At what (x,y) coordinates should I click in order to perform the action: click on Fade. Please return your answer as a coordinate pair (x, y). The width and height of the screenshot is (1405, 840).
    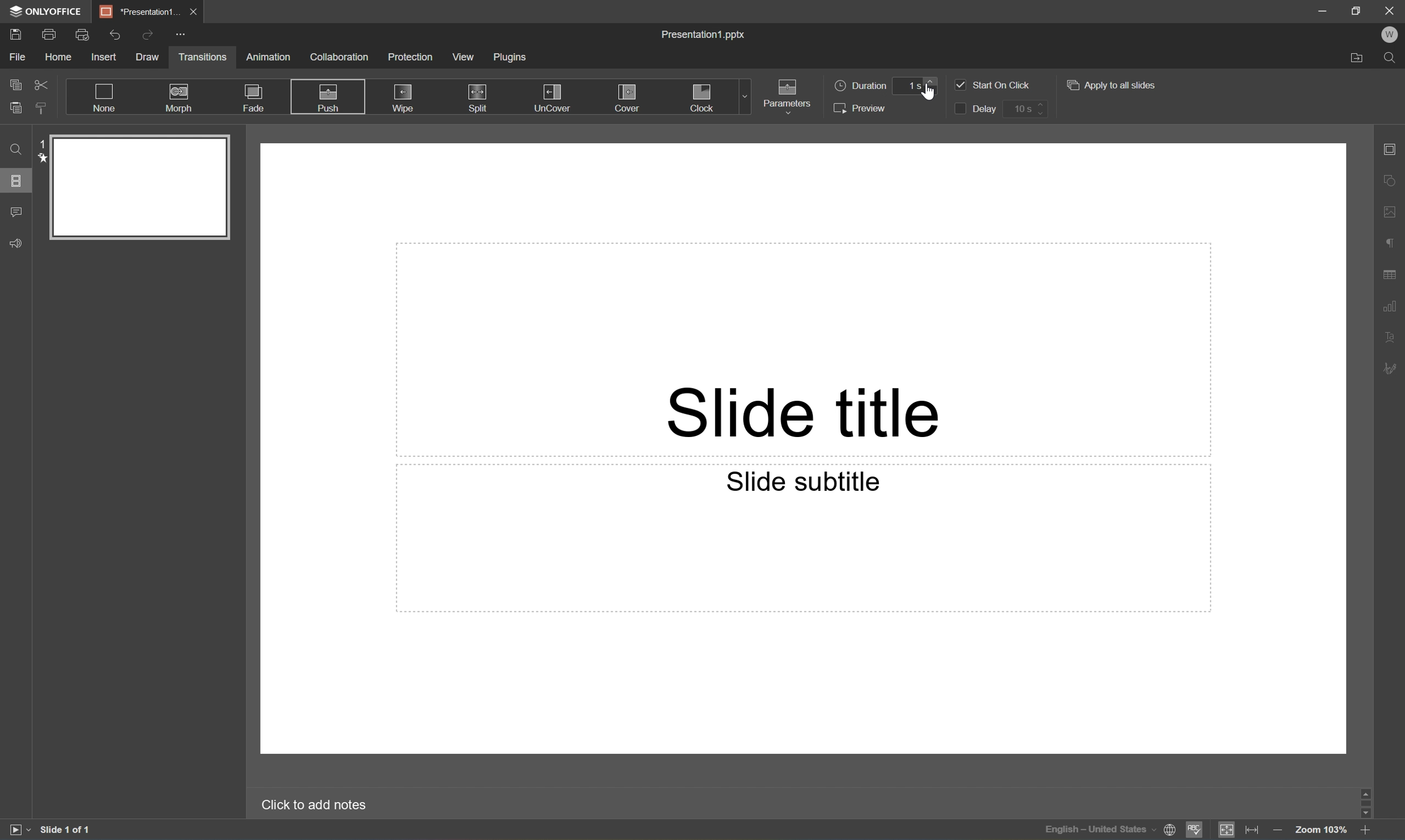
    Looking at the image, I should click on (251, 97).